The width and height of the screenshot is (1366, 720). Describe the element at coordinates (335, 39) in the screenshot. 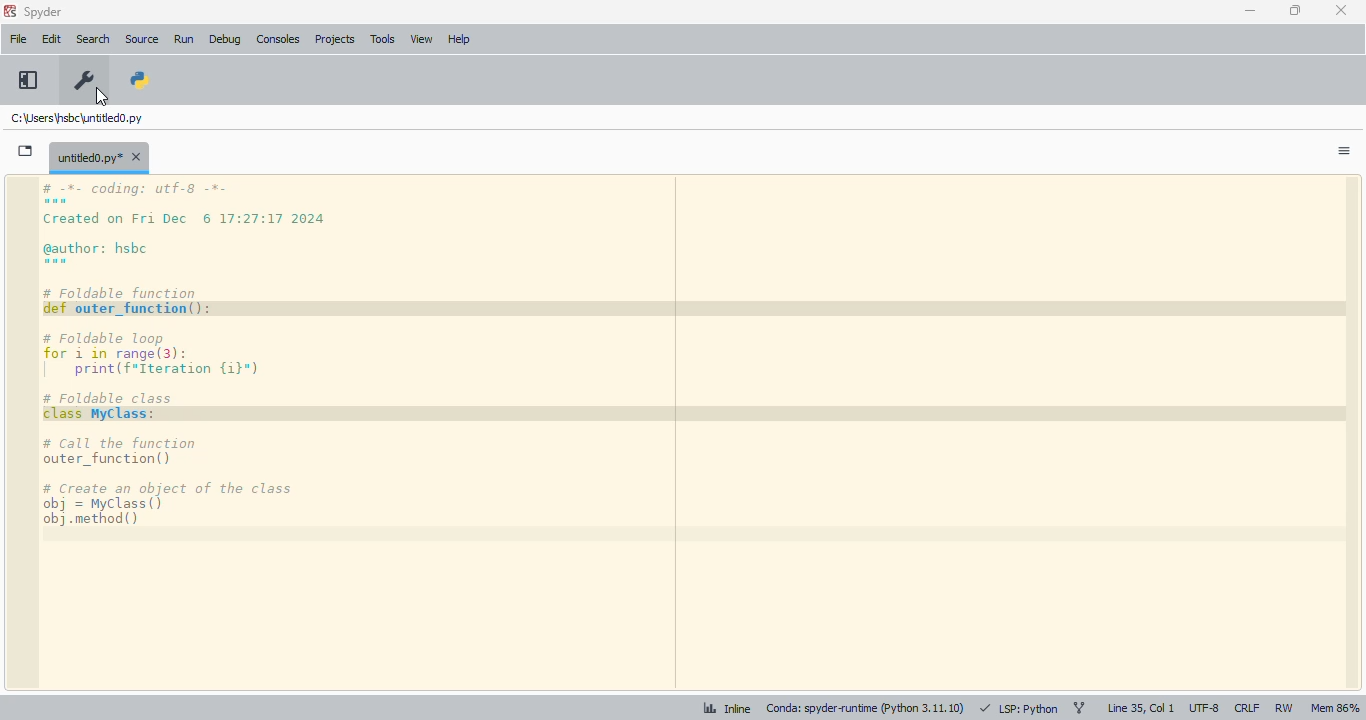

I see `projects` at that location.